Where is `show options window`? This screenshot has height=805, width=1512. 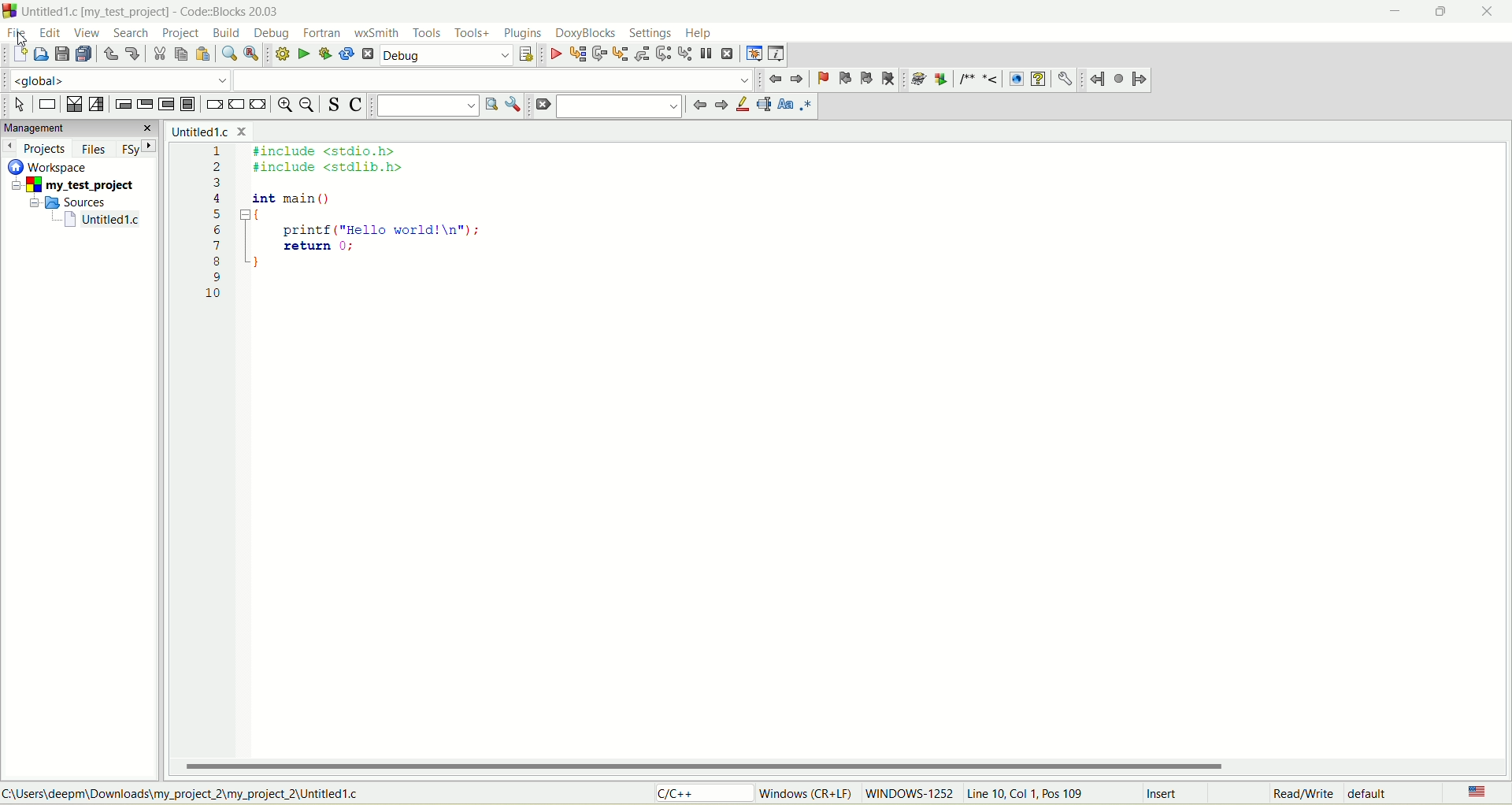
show options window is located at coordinates (515, 106).